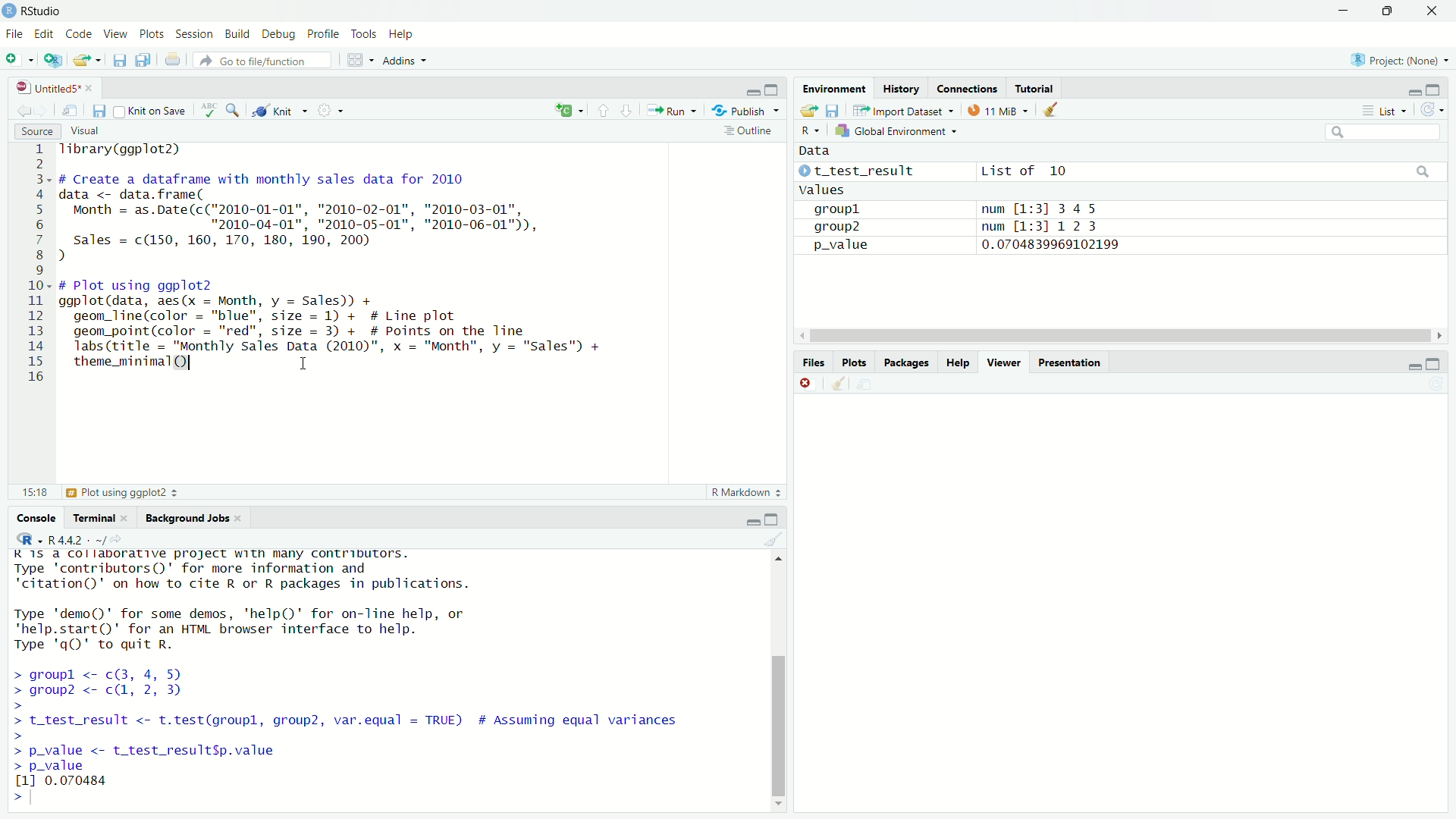 This screenshot has width=1456, height=819. Describe the element at coordinates (749, 89) in the screenshot. I see `minimise` at that location.